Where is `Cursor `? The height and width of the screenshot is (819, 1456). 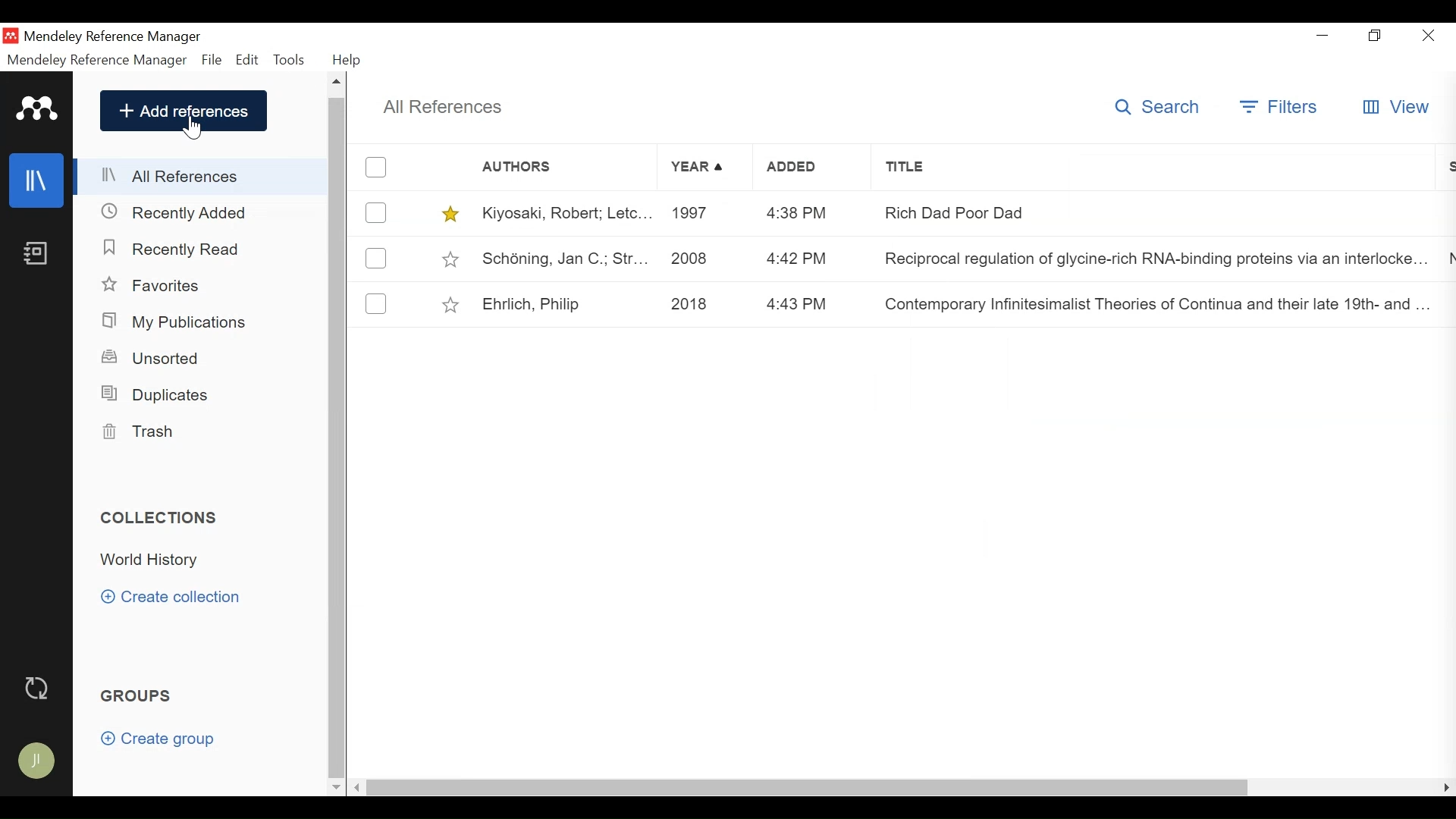 Cursor  is located at coordinates (193, 129).